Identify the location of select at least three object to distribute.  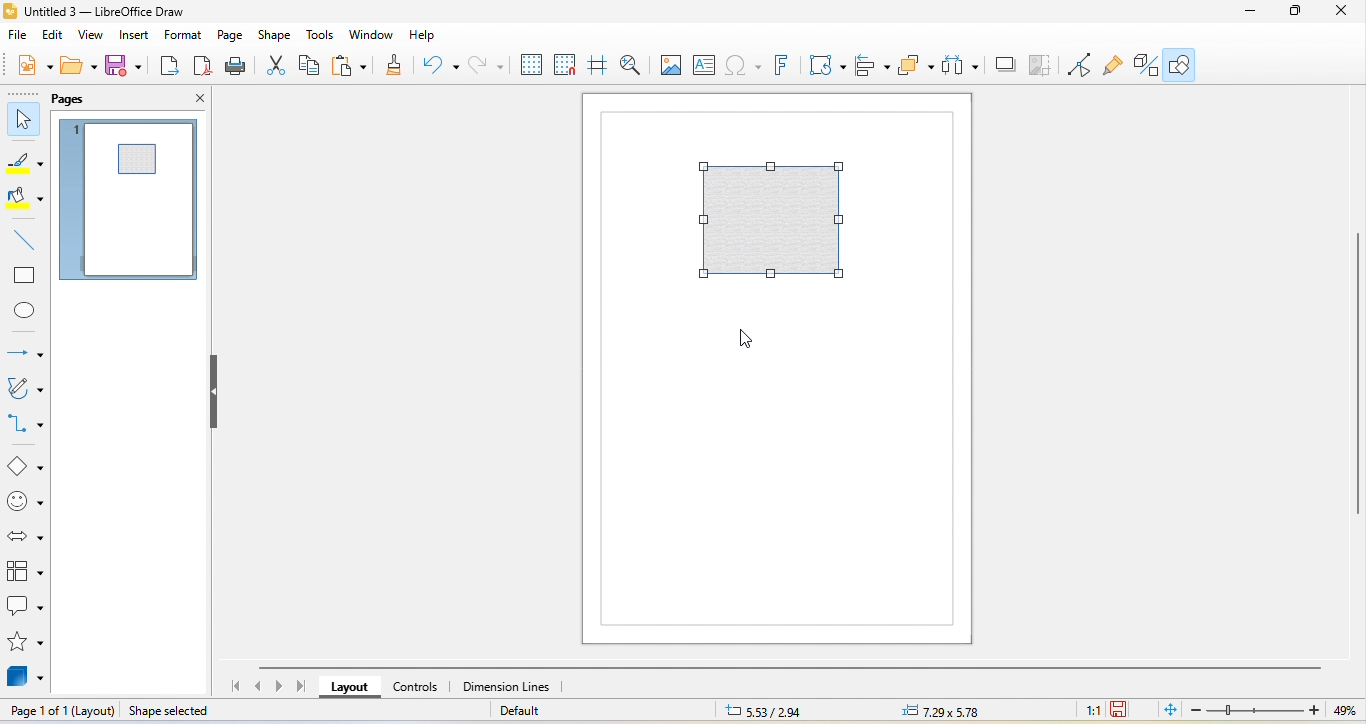
(960, 66).